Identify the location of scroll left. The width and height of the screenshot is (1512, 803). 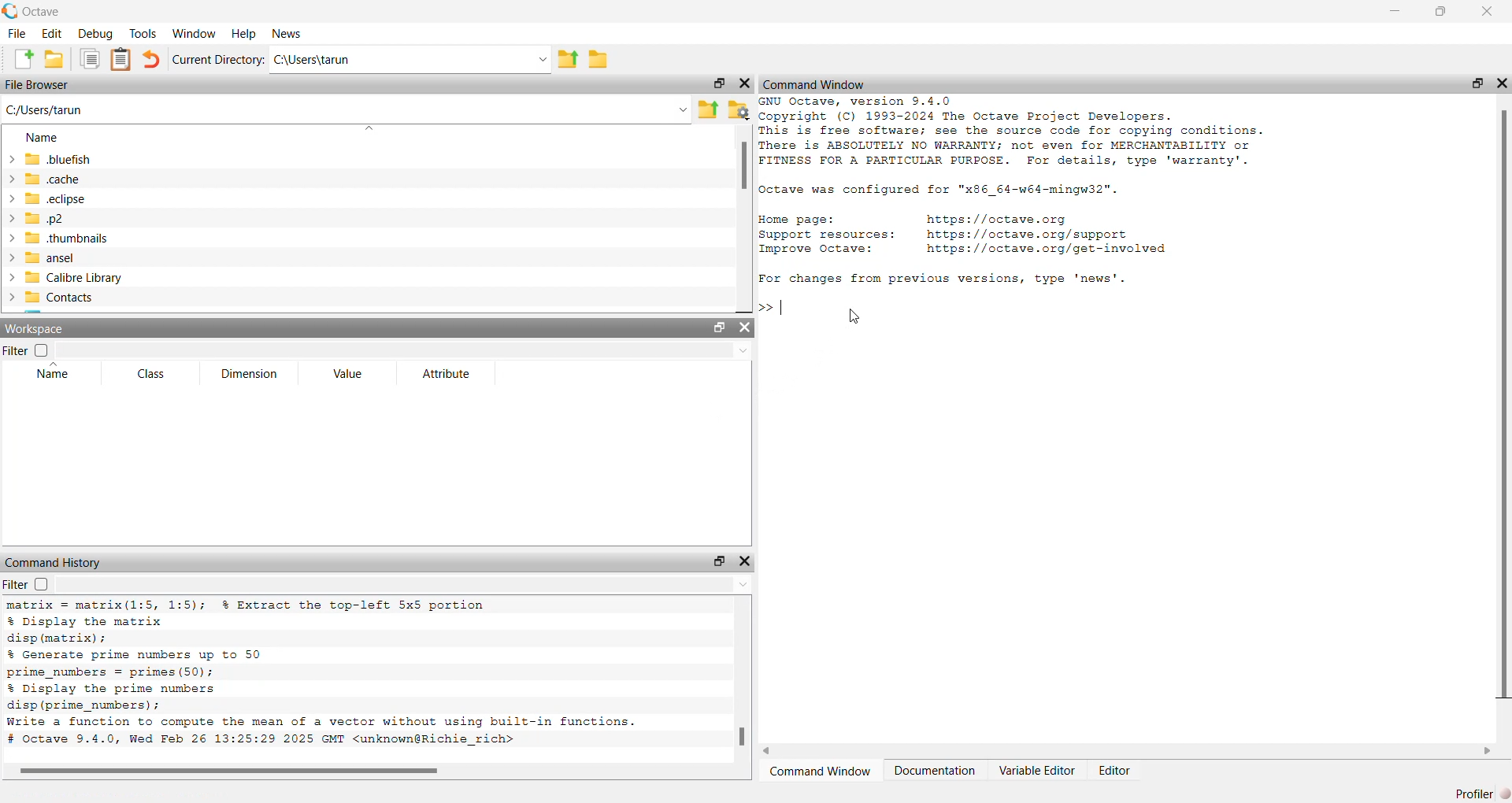
(769, 752).